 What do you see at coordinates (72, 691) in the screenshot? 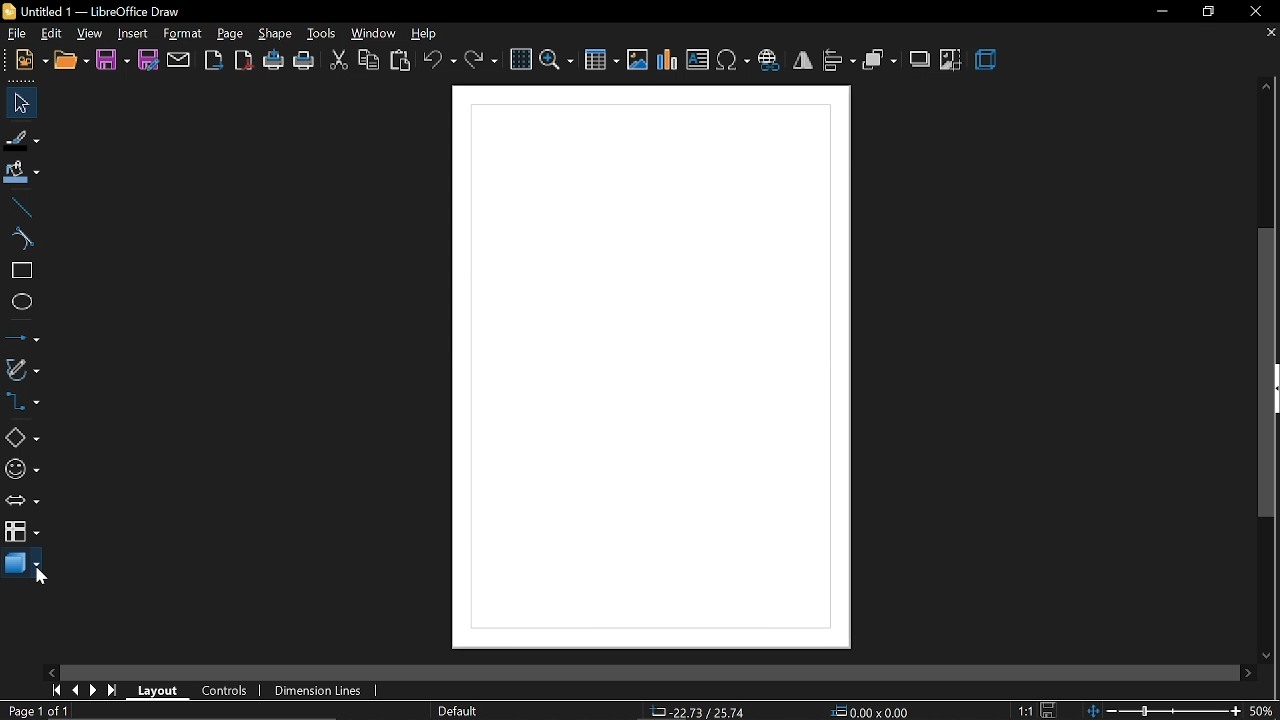
I see `previous page` at bounding box center [72, 691].